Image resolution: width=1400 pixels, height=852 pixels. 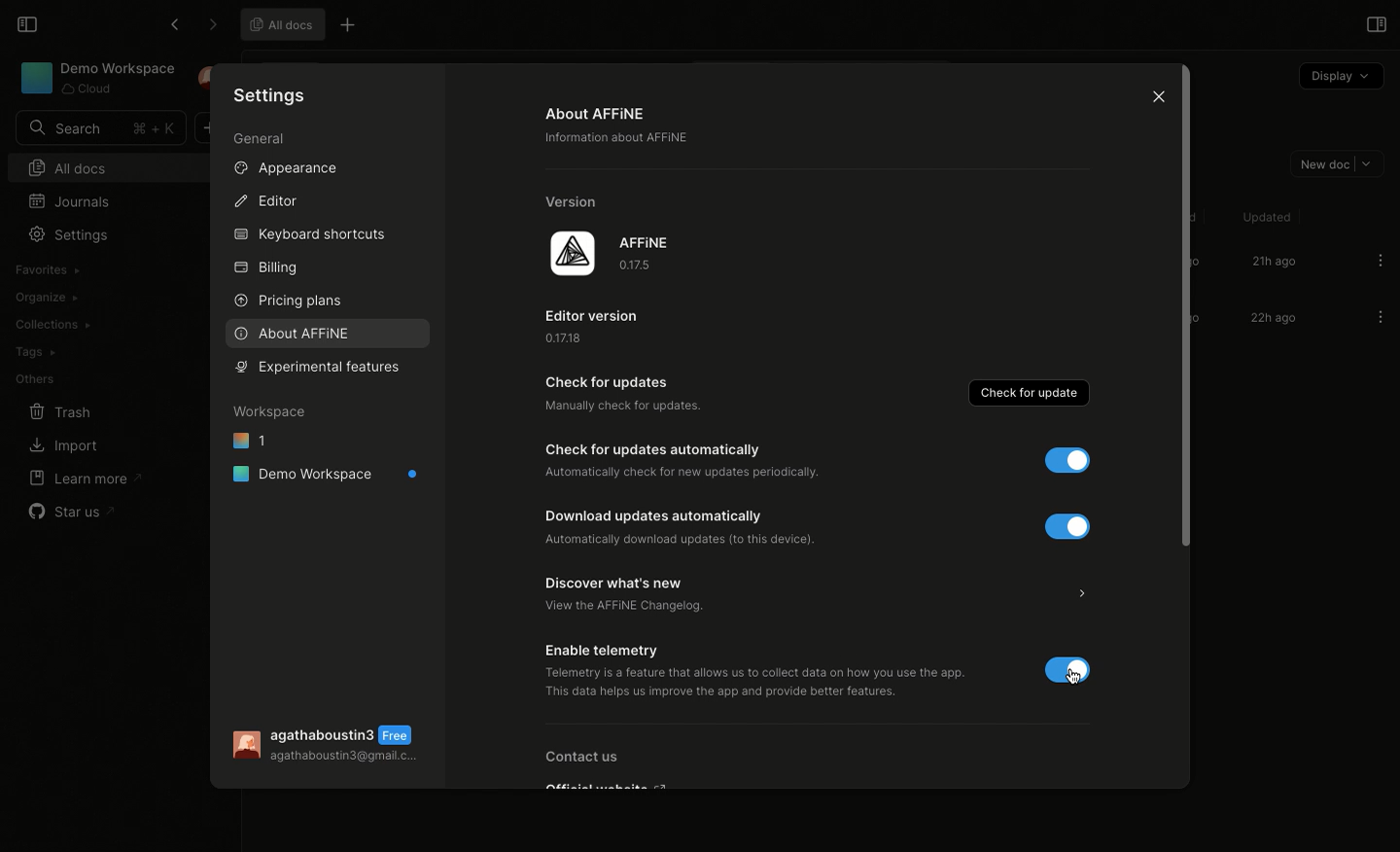 I want to click on Enable telemetry, so click(x=786, y=673).